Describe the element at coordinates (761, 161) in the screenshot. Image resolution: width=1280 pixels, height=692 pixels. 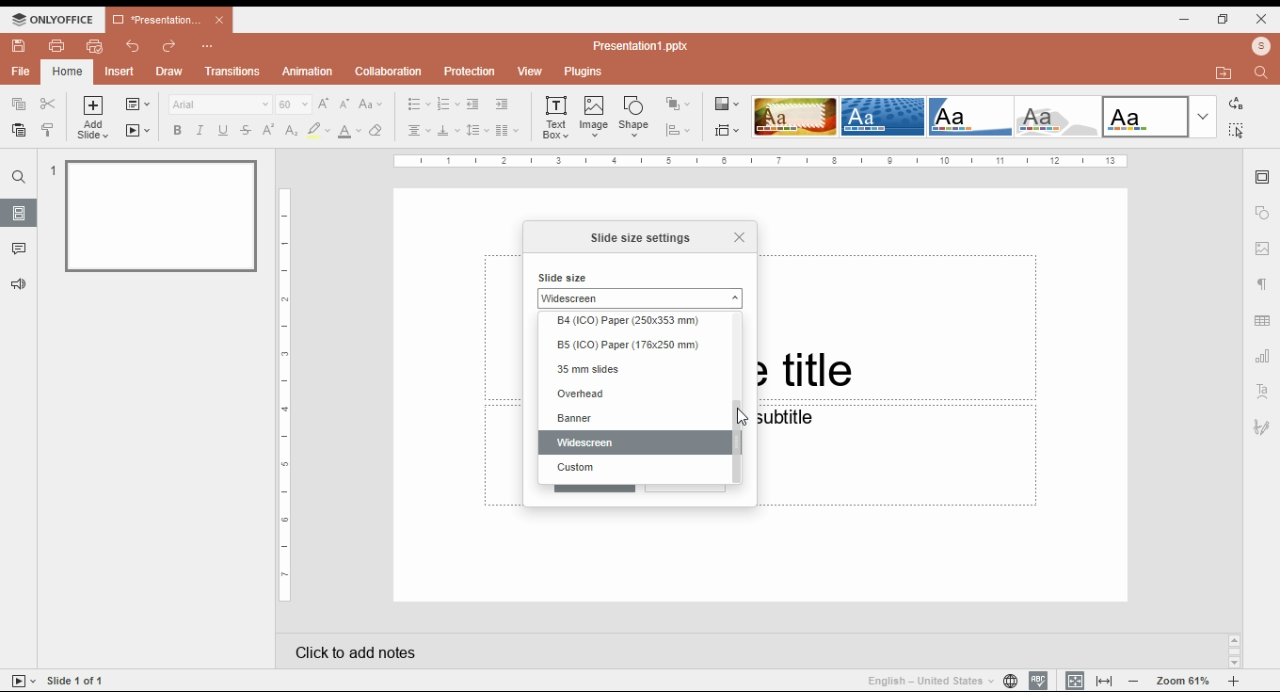
I see `Page Scale` at that location.